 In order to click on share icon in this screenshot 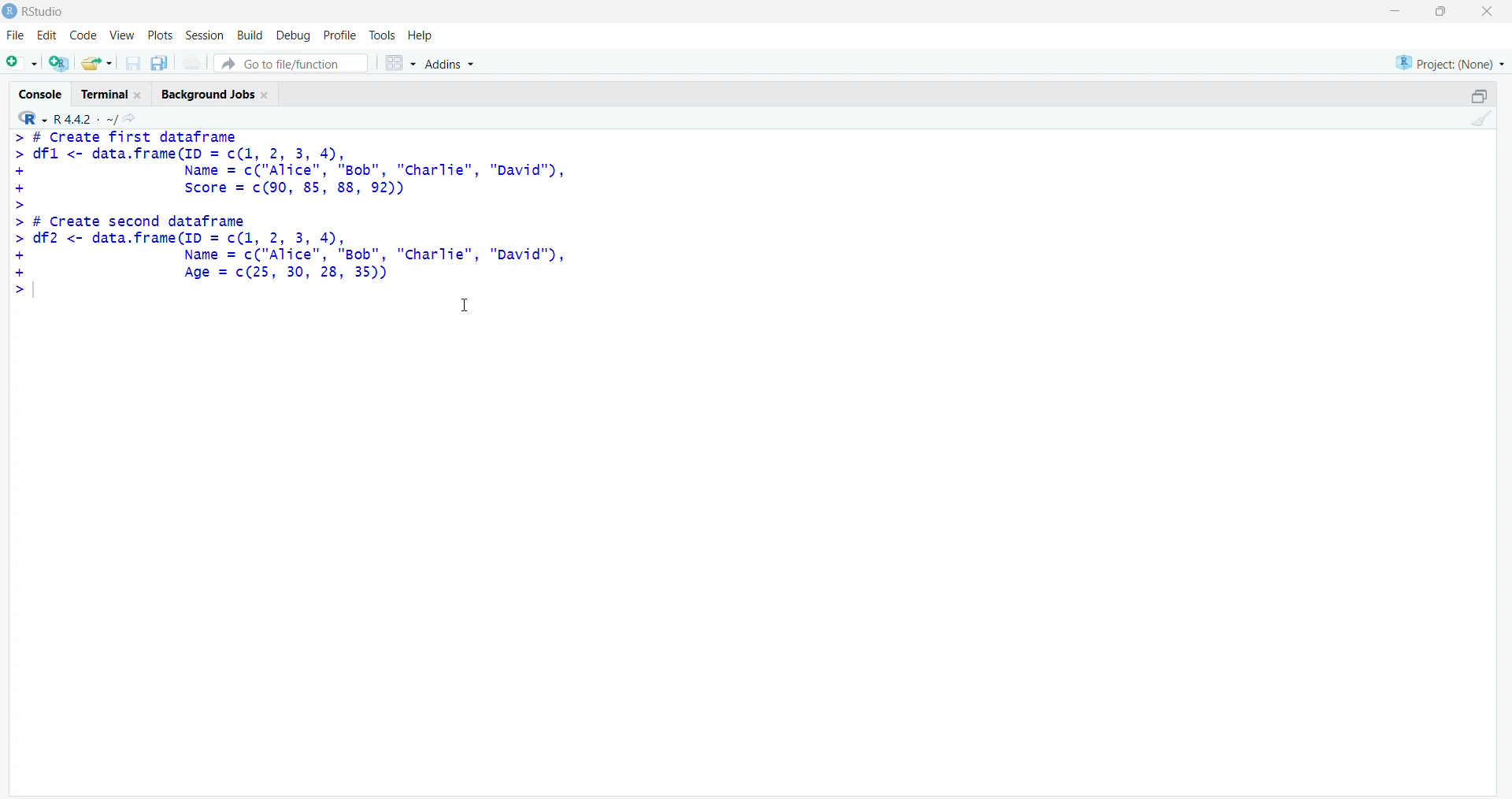, I will do `click(130, 118)`.